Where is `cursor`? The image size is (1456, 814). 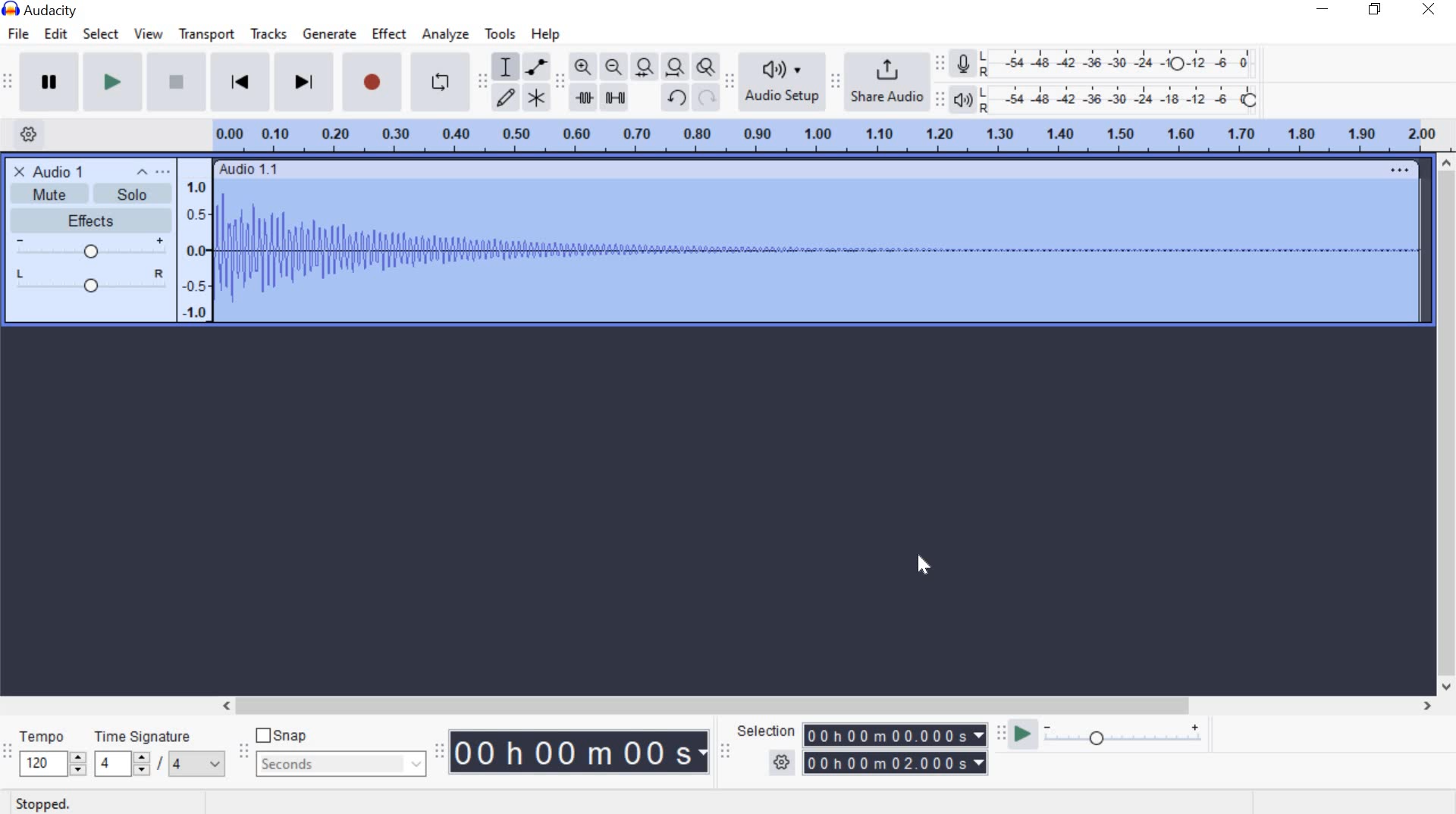 cursor is located at coordinates (922, 565).